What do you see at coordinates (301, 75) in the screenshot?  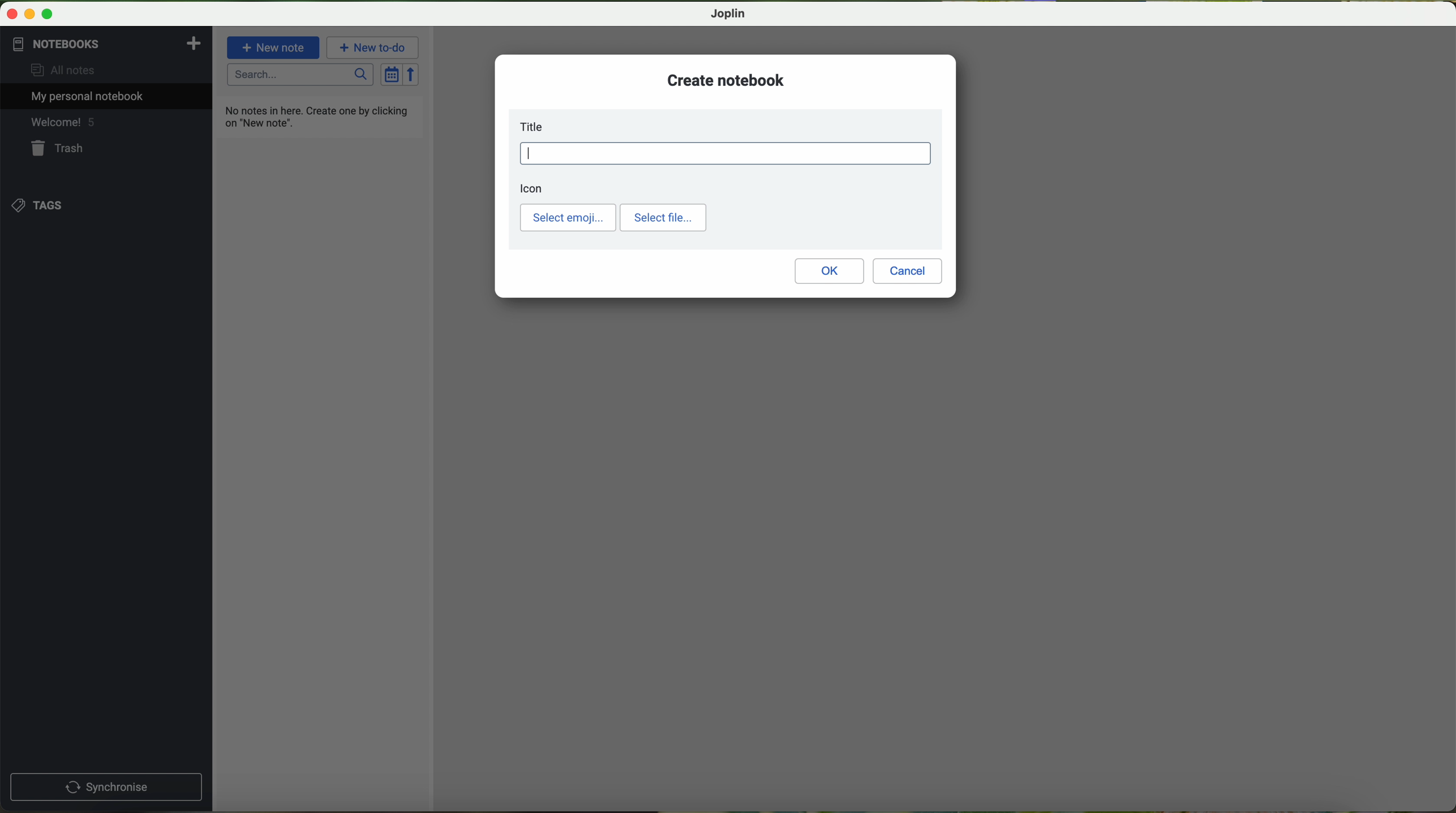 I see `search bar` at bounding box center [301, 75].